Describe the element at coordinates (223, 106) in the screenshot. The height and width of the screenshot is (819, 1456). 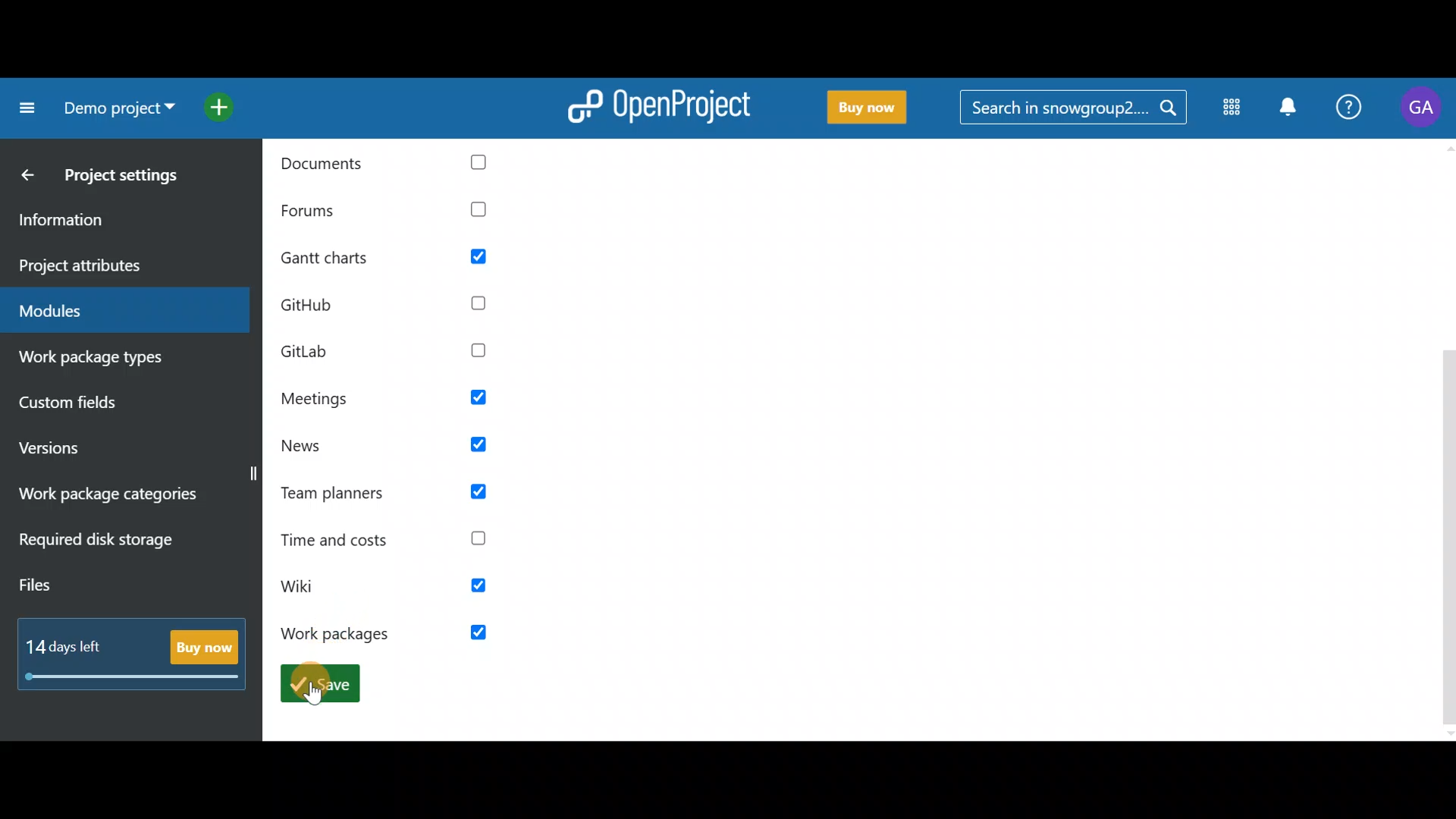
I see `Open quick add menu` at that location.